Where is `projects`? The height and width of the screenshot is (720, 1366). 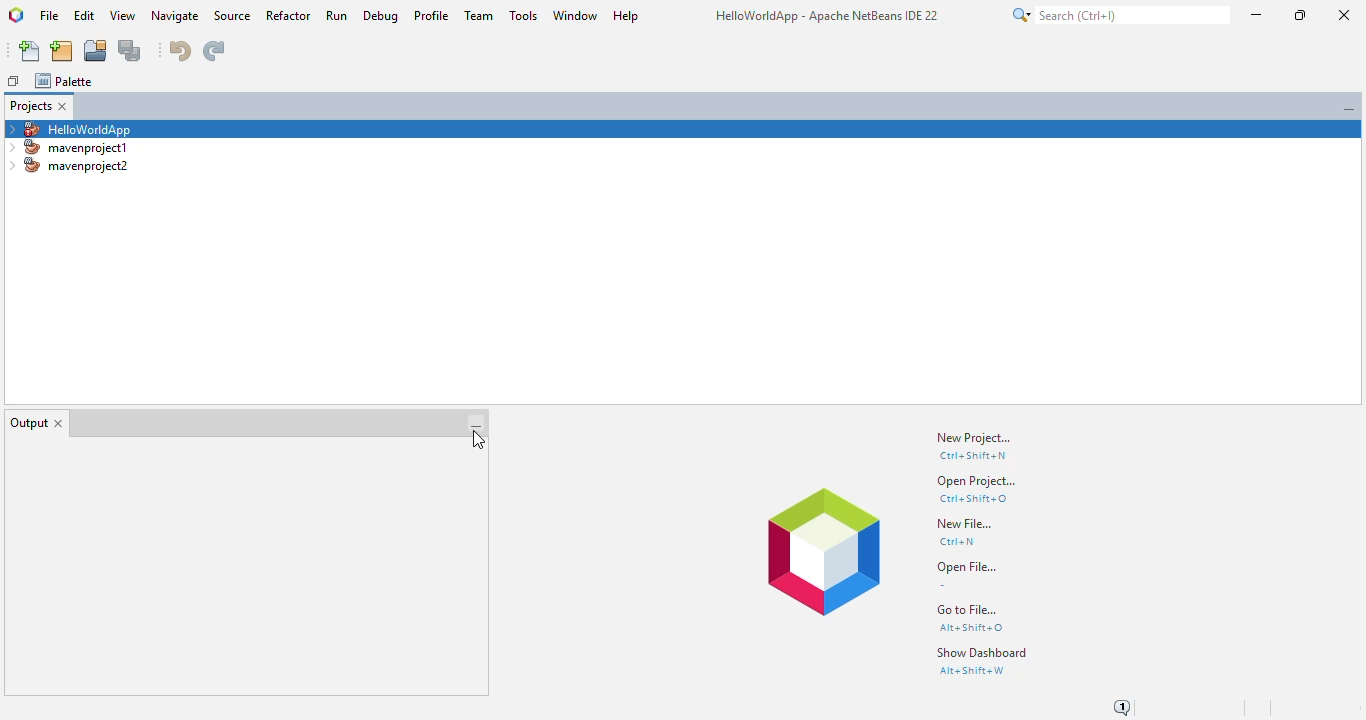
projects is located at coordinates (30, 106).